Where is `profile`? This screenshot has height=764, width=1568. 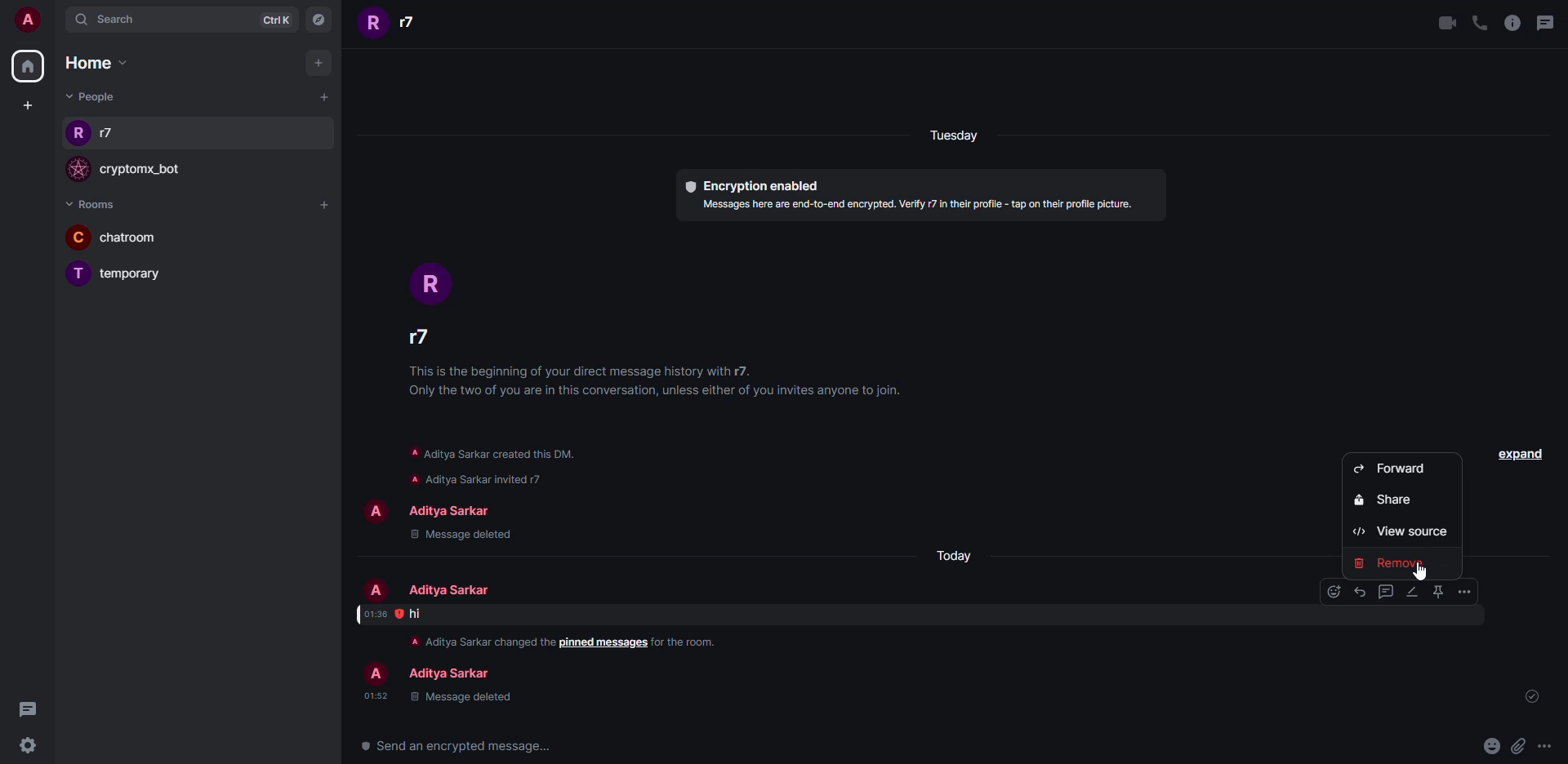 profile is located at coordinates (374, 24).